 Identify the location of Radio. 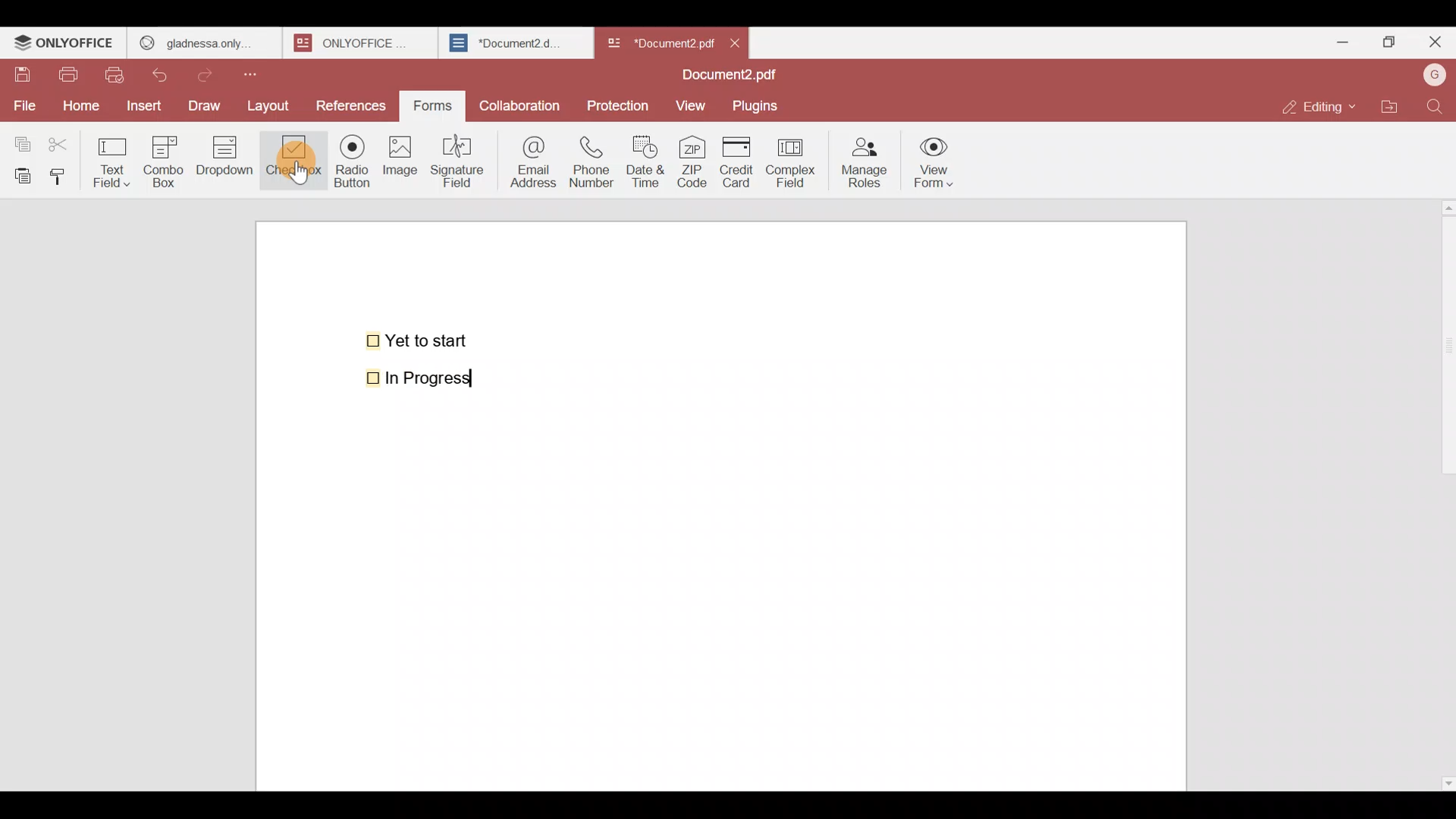
(347, 165).